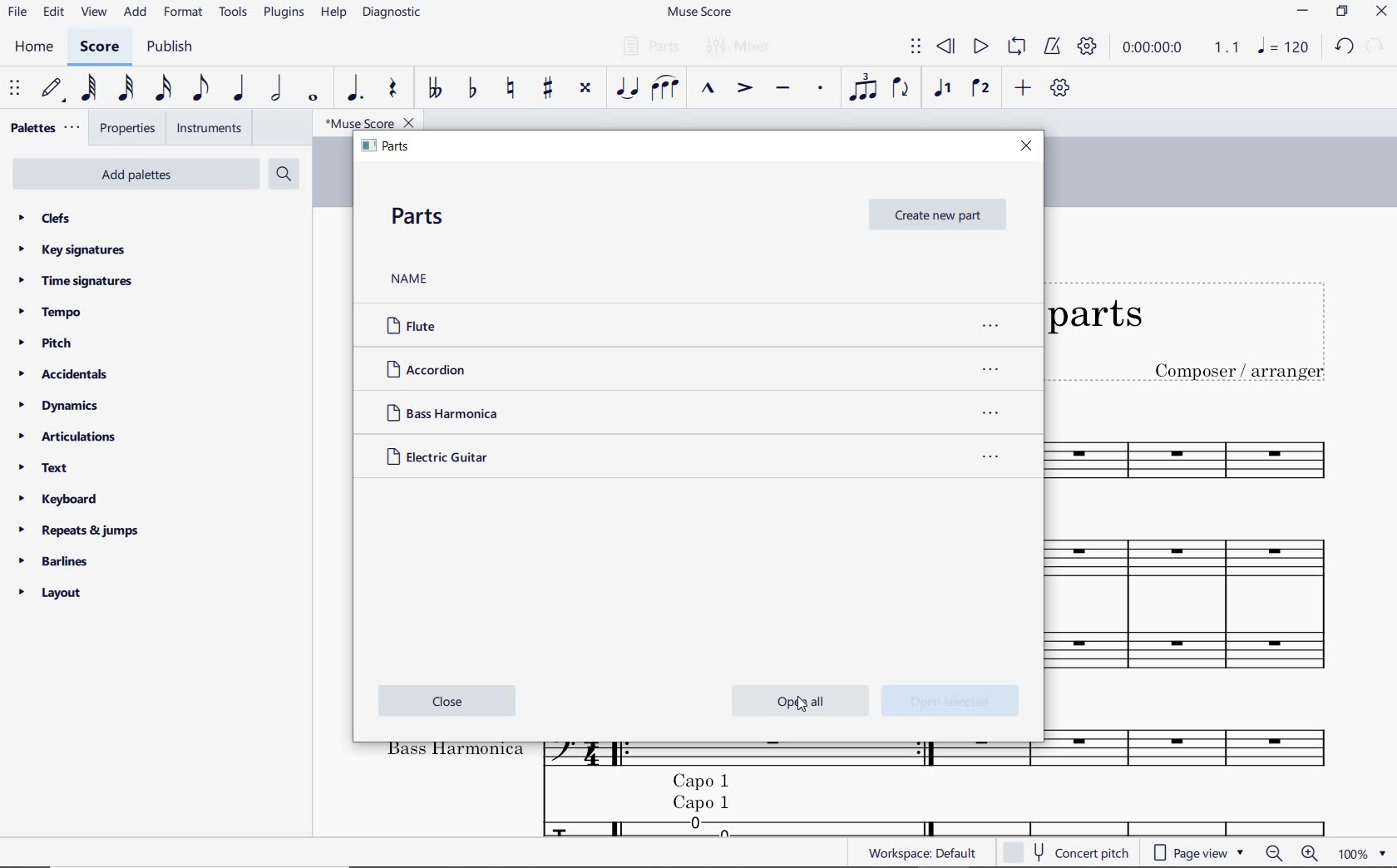  Describe the element at coordinates (666, 89) in the screenshot. I see `slur` at that location.